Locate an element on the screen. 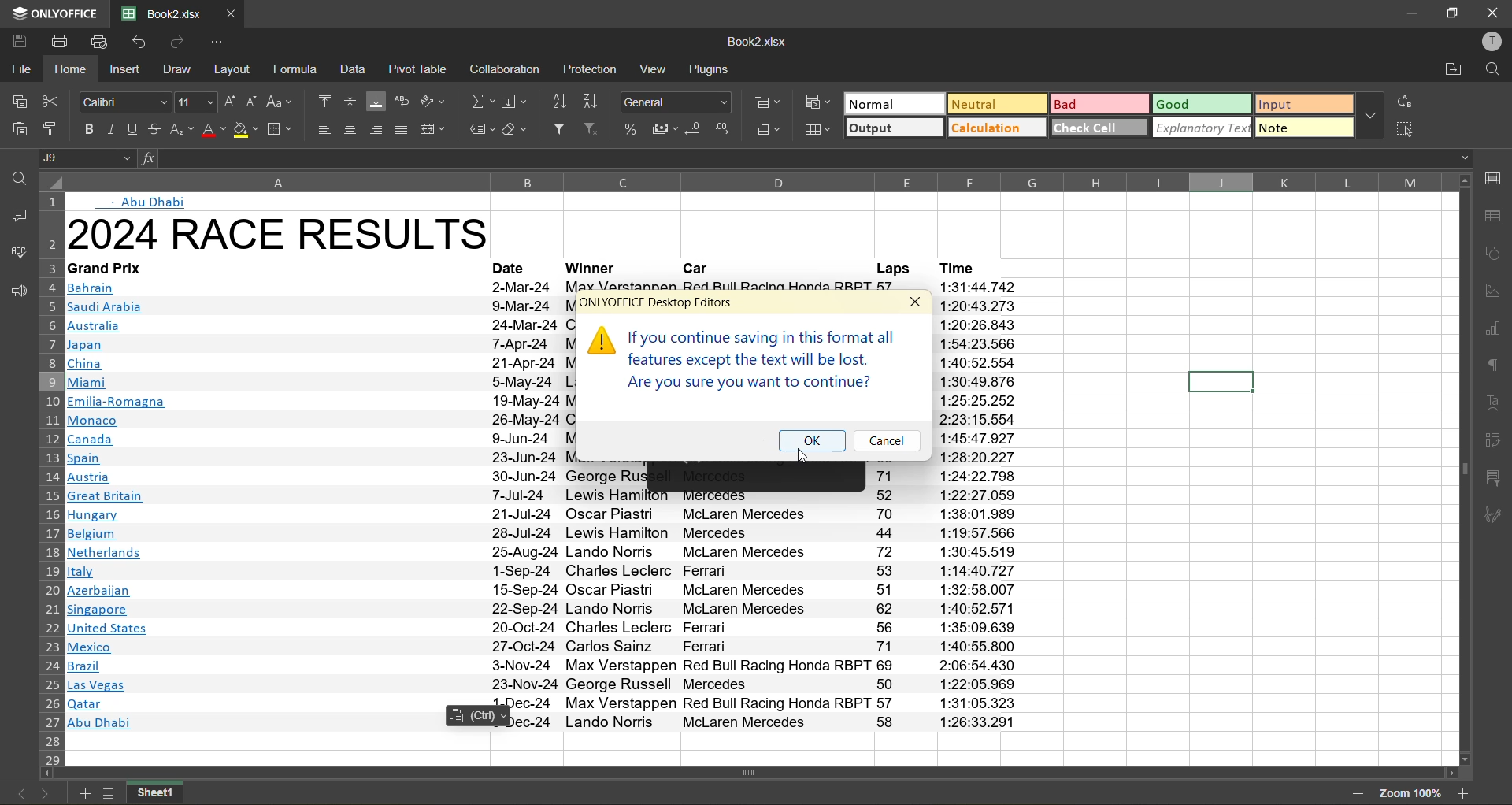  justified is located at coordinates (402, 129).